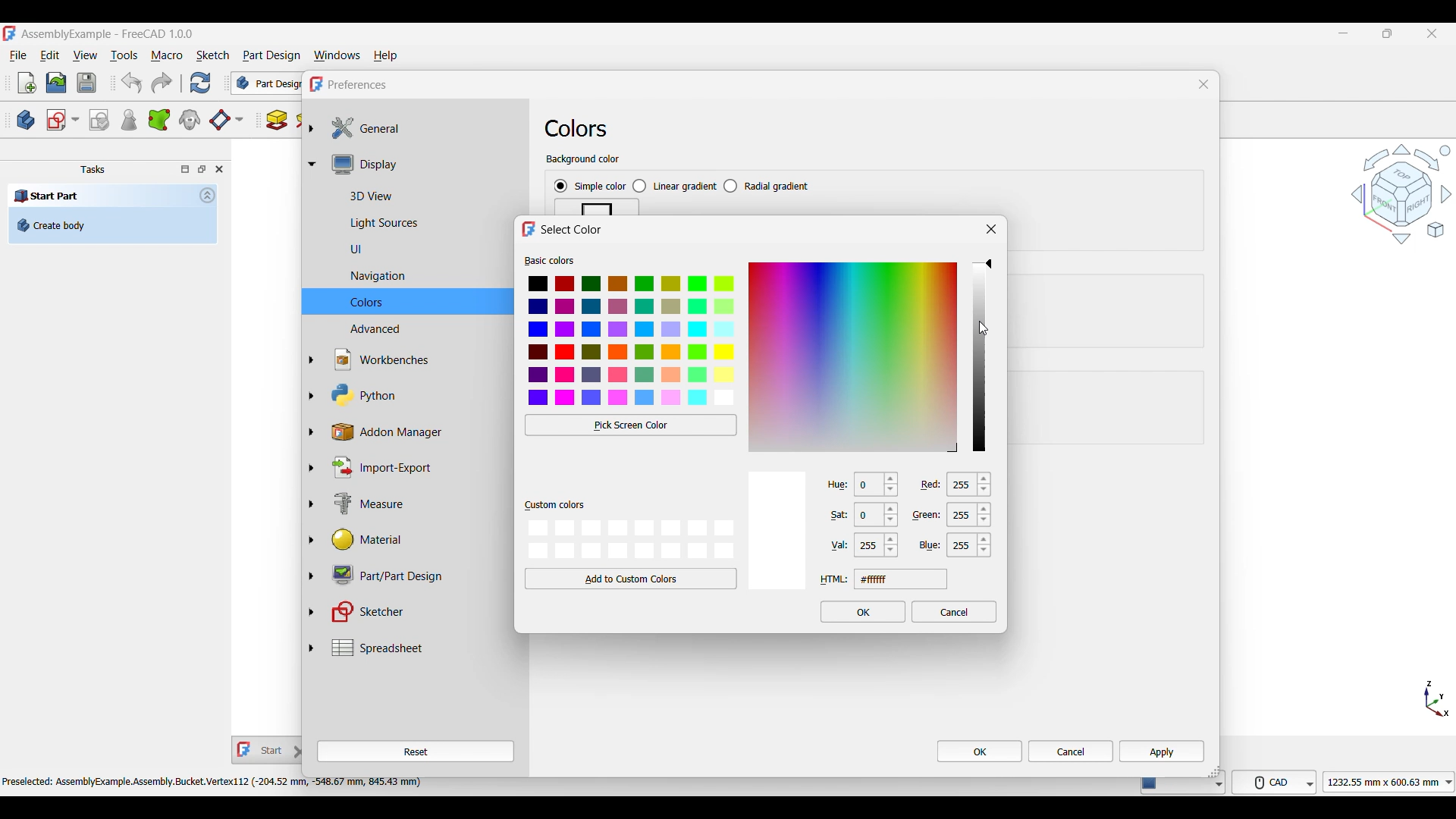  What do you see at coordinates (337, 56) in the screenshot?
I see `Windows menu` at bounding box center [337, 56].